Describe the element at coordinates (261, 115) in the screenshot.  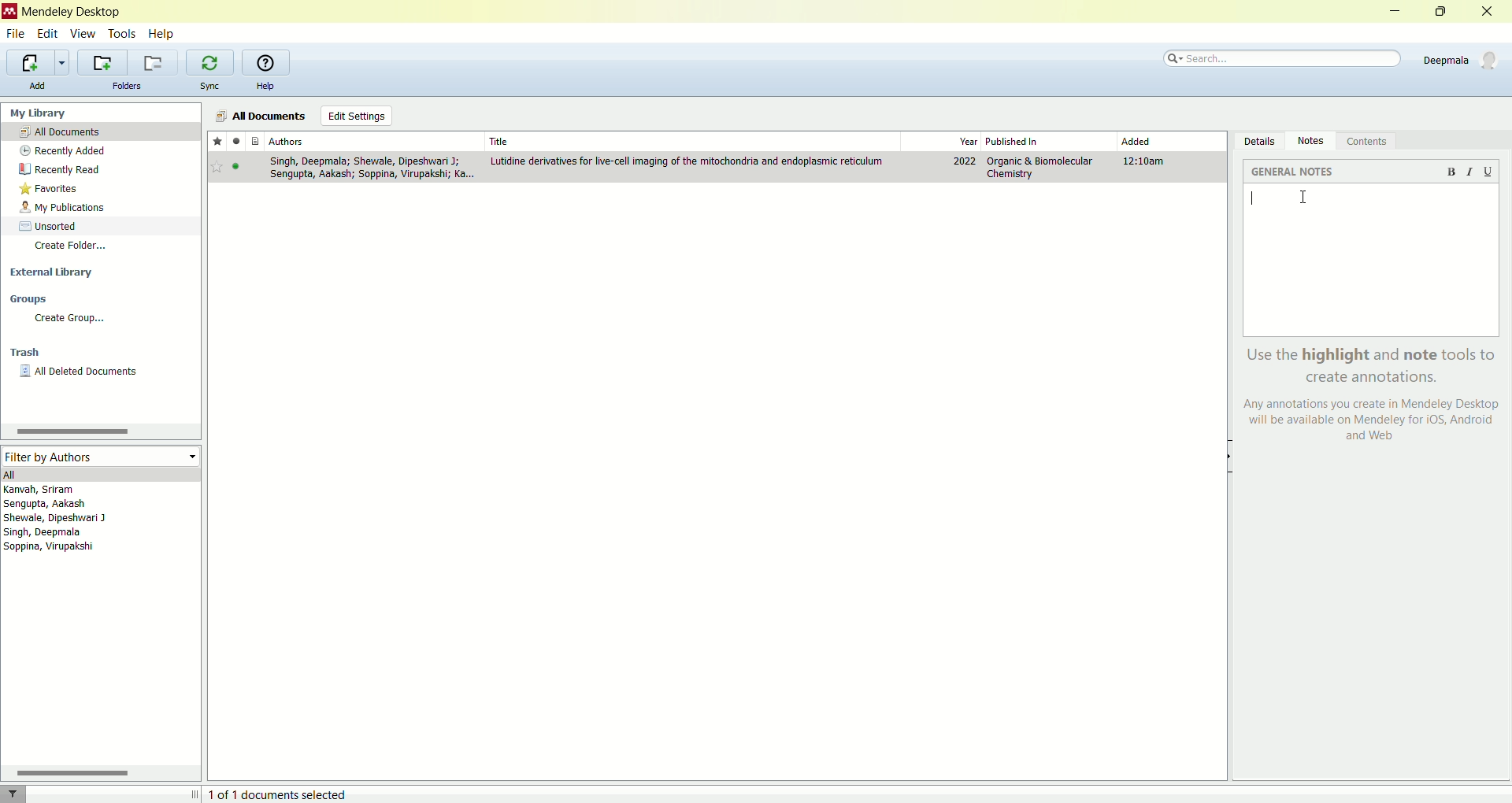
I see `all documnets` at that location.